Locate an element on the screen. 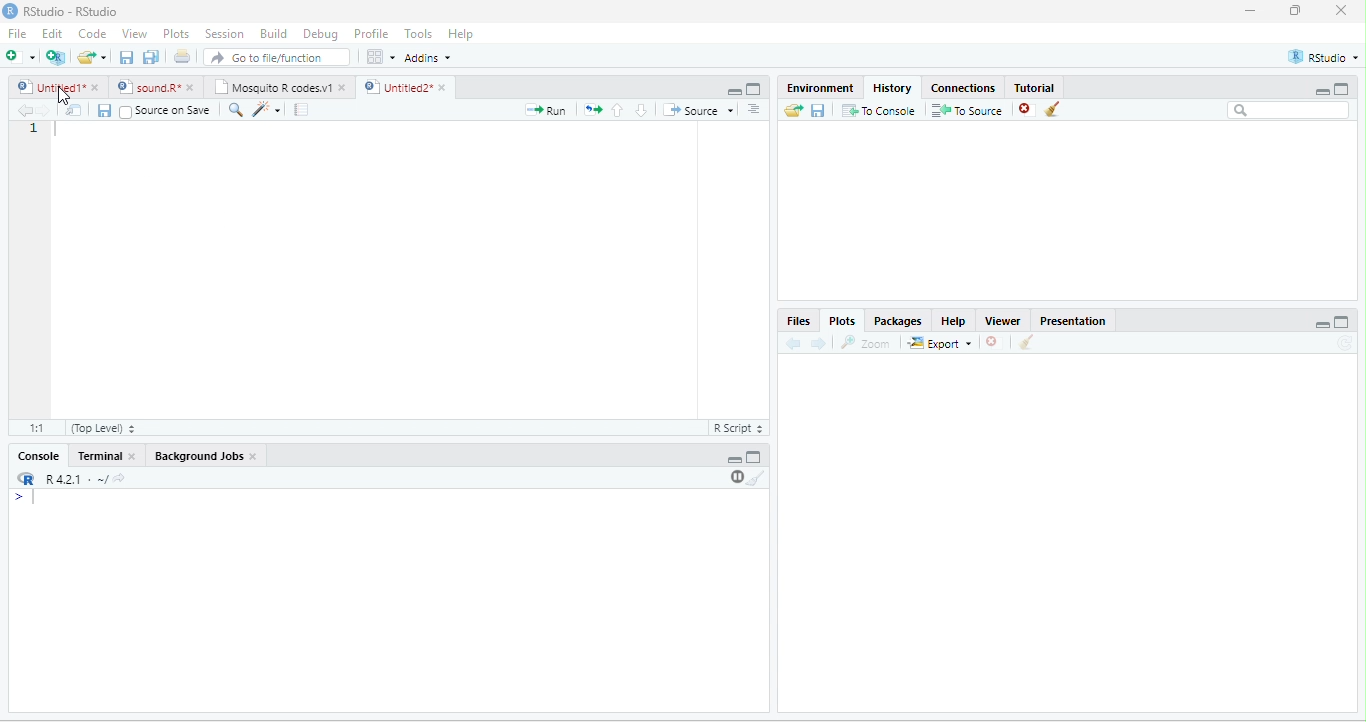 This screenshot has width=1366, height=722. up is located at coordinates (618, 110).